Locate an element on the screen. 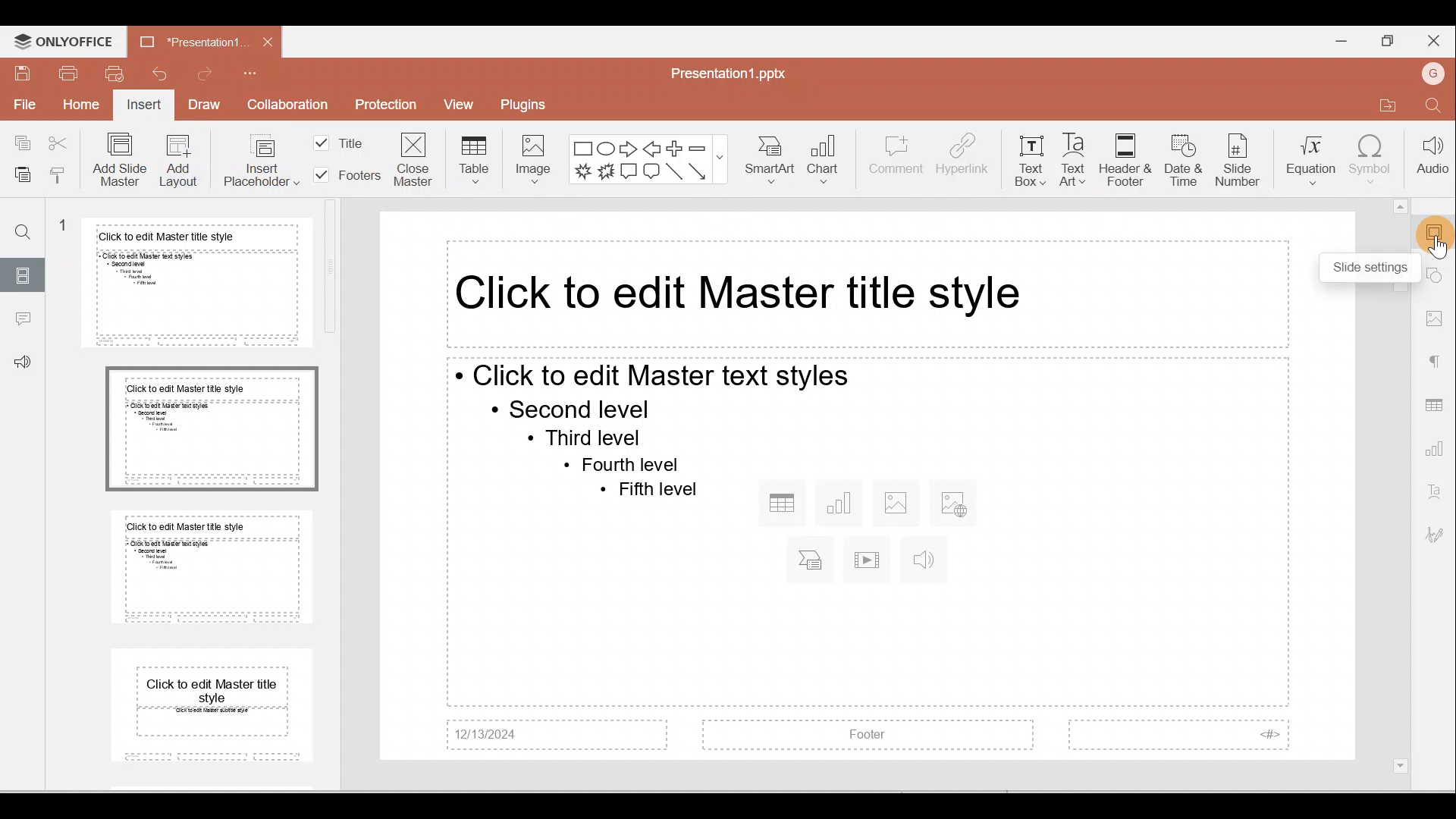 The image size is (1456, 819). Find is located at coordinates (1435, 108).